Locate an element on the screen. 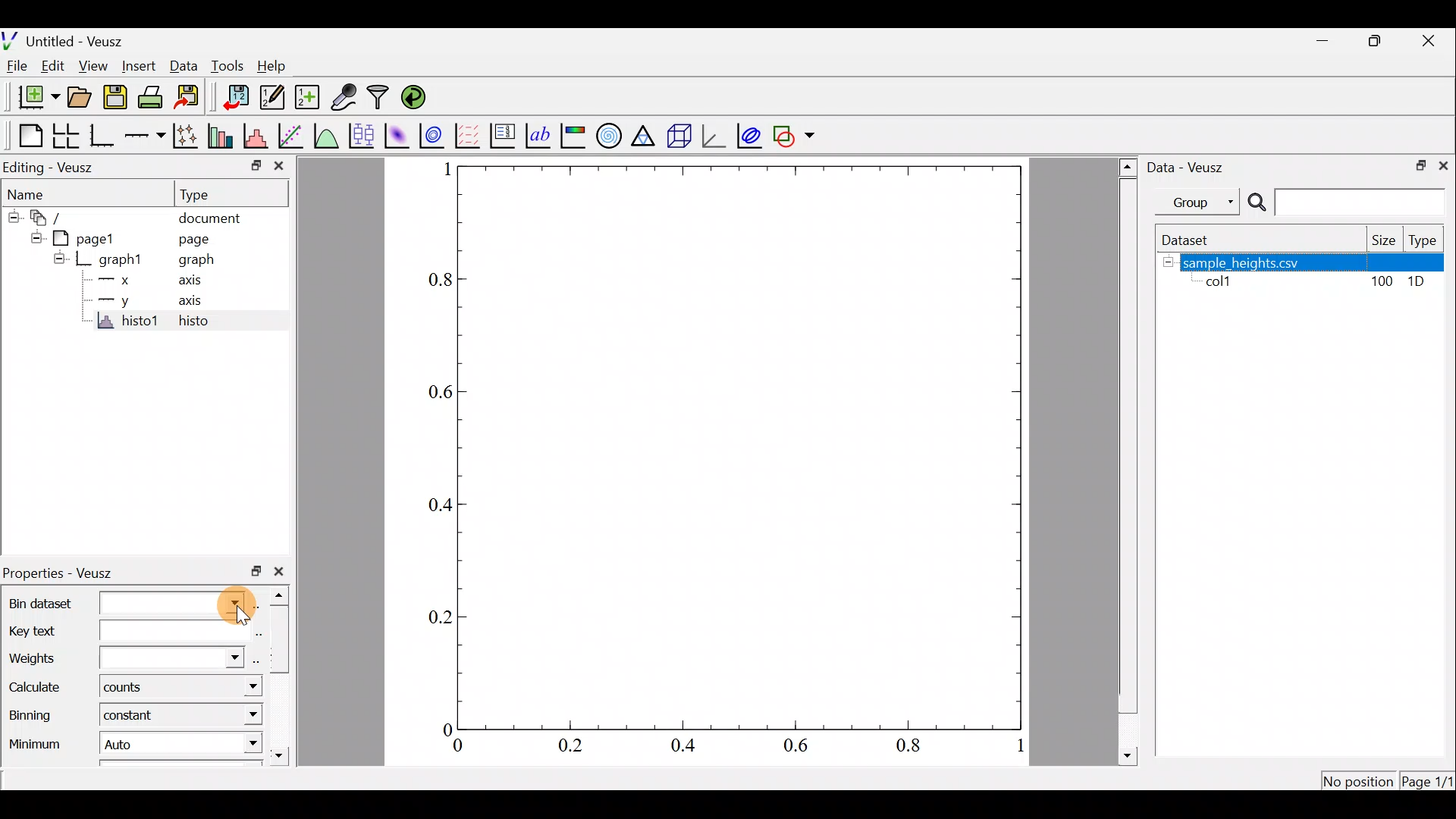 The width and height of the screenshot is (1456, 819). constant is located at coordinates (138, 719).